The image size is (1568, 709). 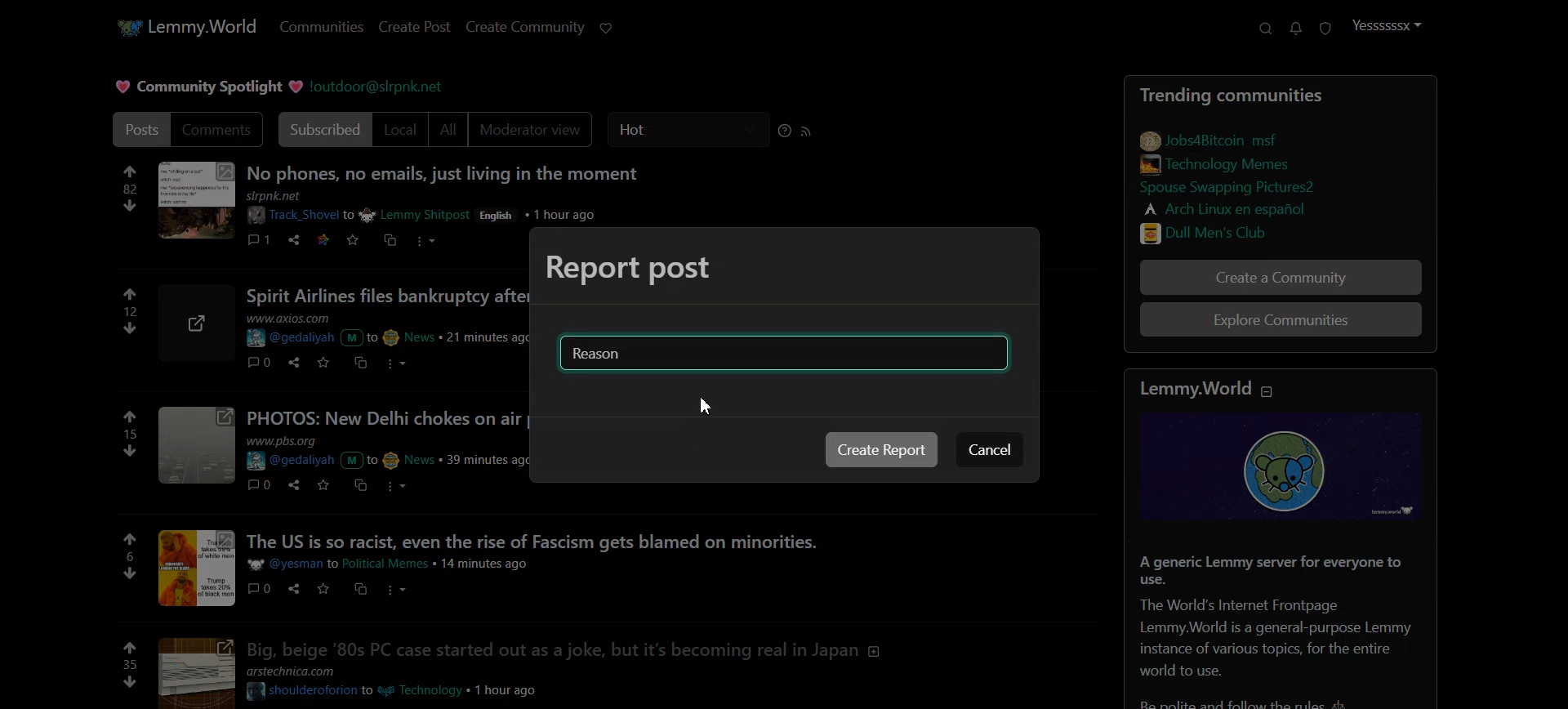 What do you see at coordinates (200, 323) in the screenshot?
I see `image` at bounding box center [200, 323].